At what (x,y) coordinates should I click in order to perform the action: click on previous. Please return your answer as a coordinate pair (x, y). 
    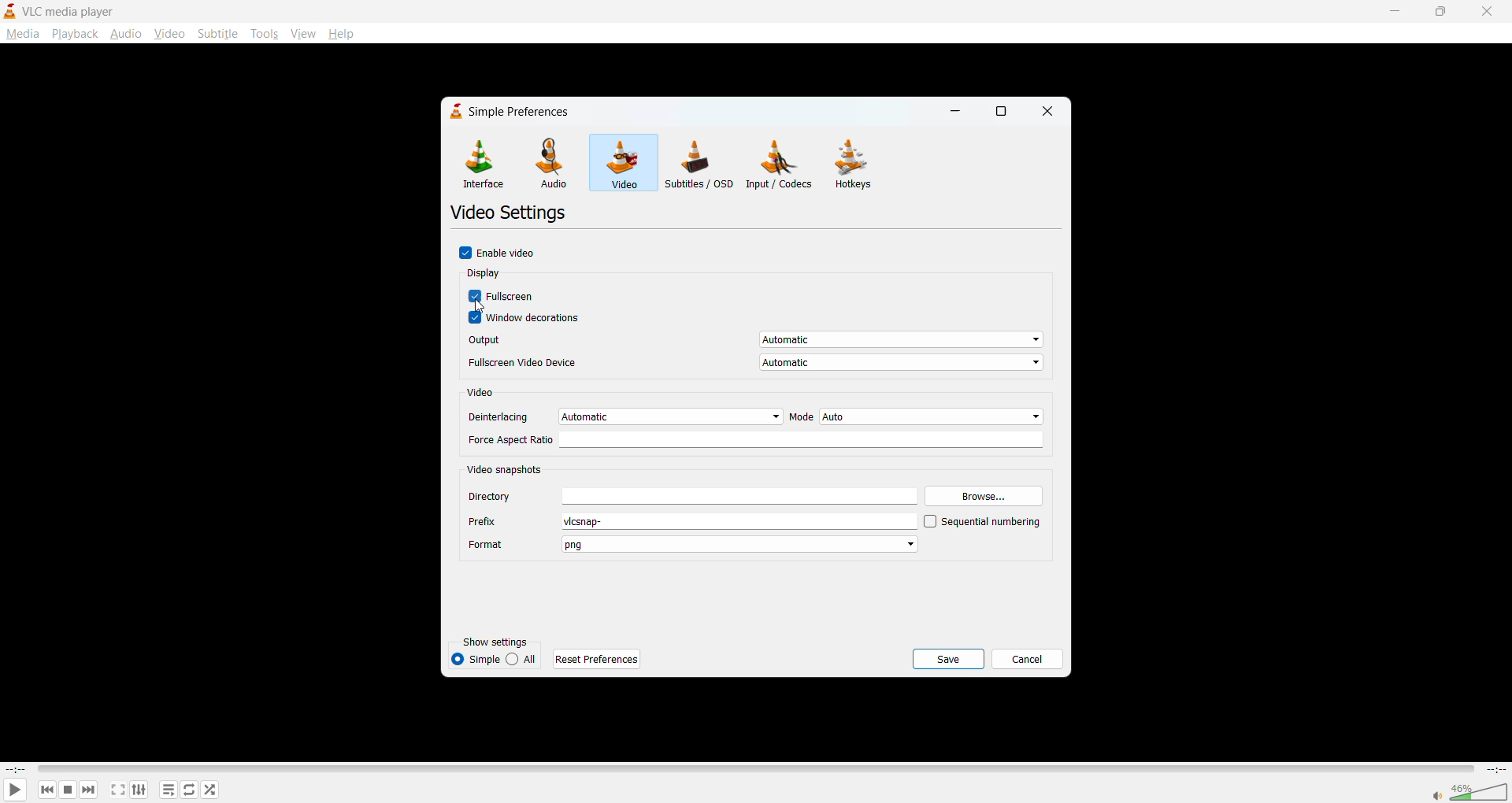
    Looking at the image, I should click on (46, 790).